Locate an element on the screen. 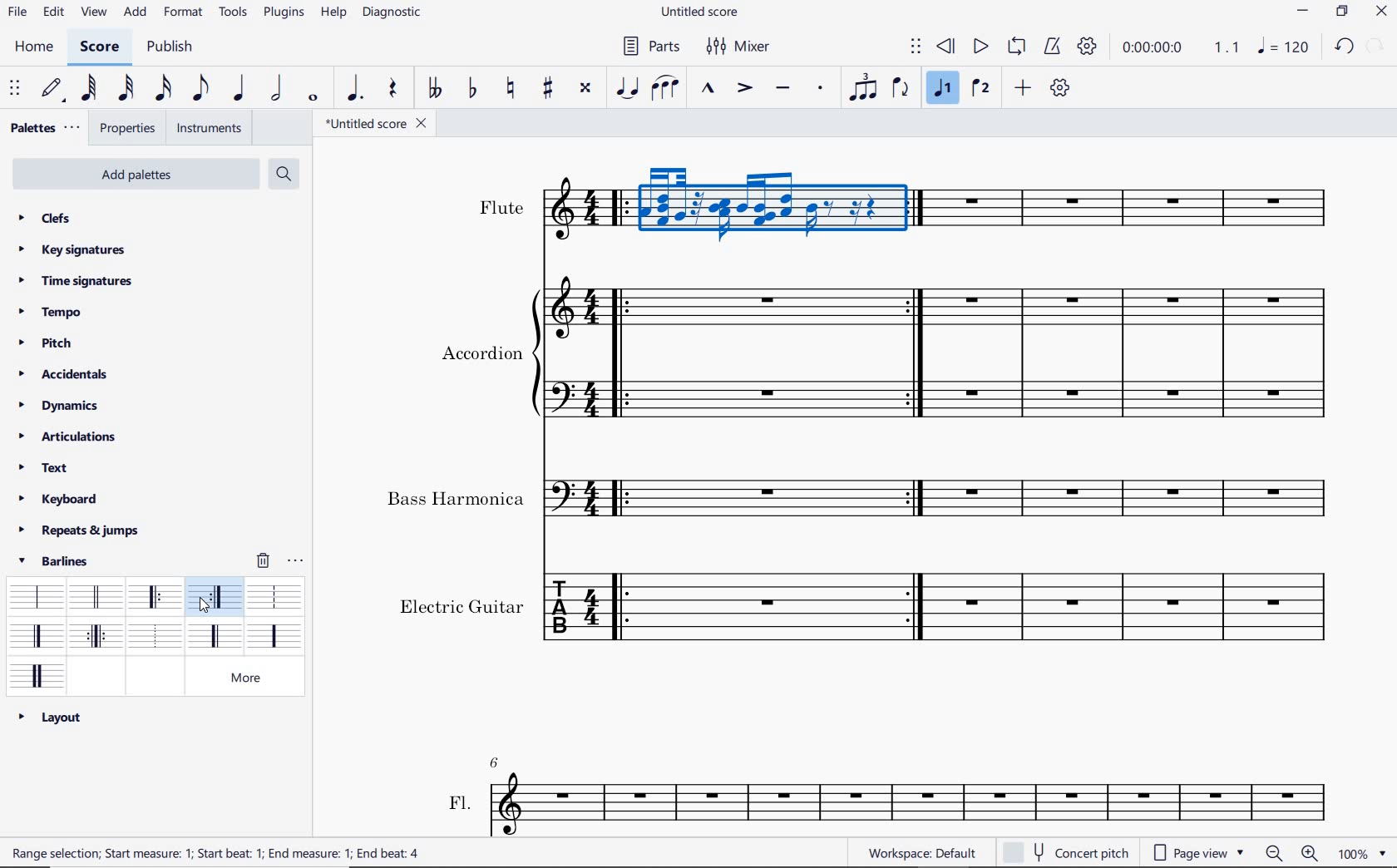 This screenshot has height=868, width=1397. text is located at coordinates (43, 467).